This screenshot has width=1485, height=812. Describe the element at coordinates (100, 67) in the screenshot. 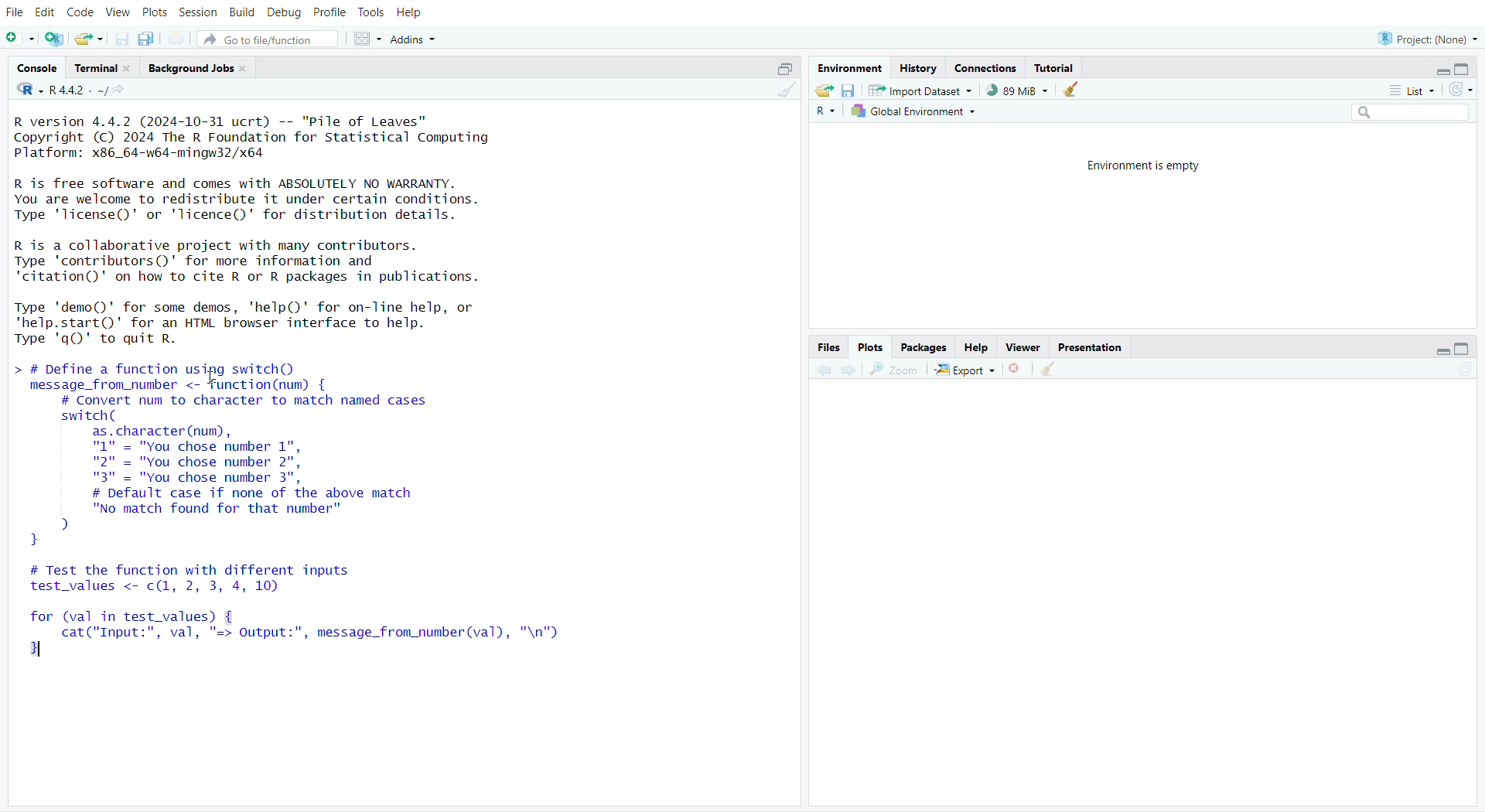

I see `Terminal` at that location.